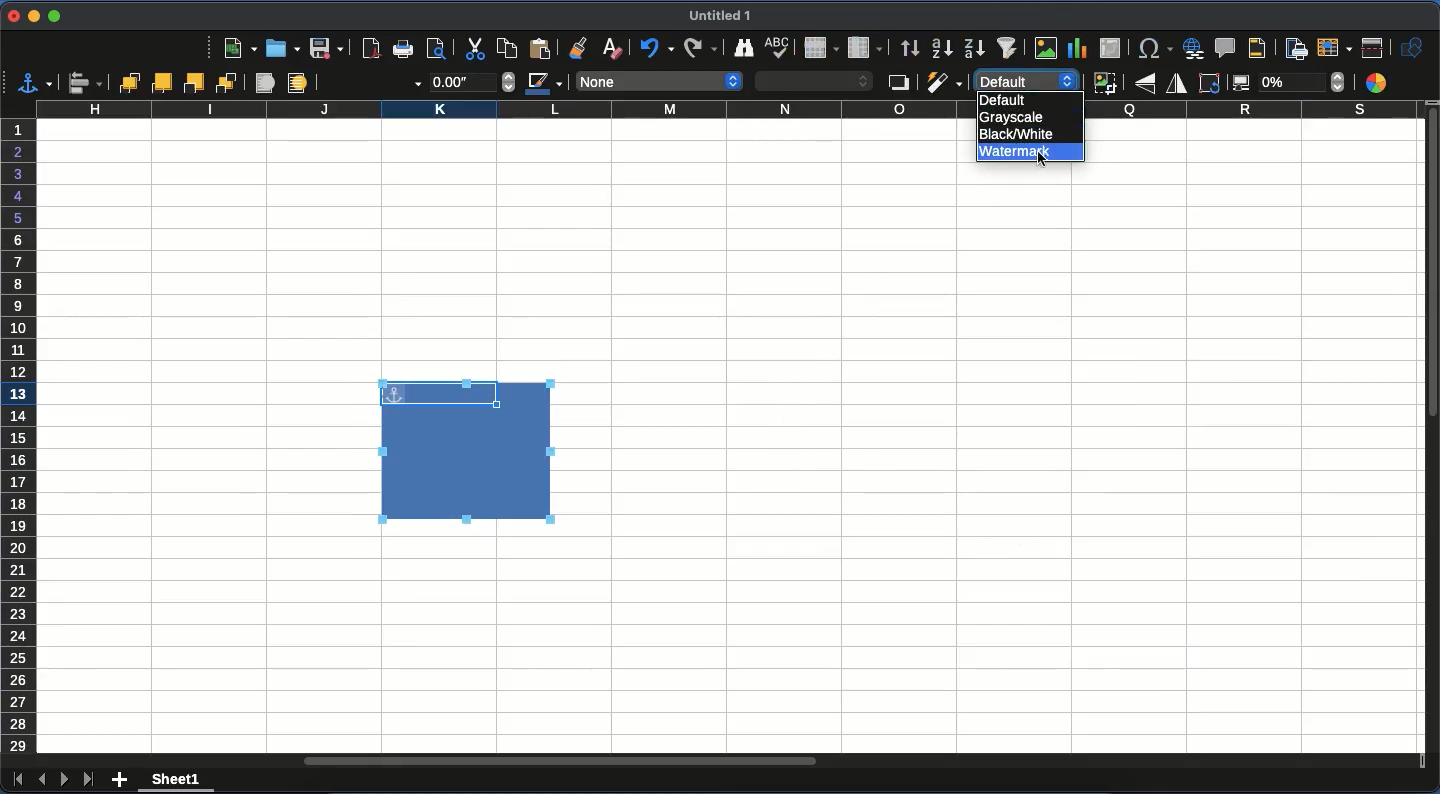 The width and height of the screenshot is (1440, 794). Describe the element at coordinates (1263, 47) in the screenshot. I see `headers and footers` at that location.